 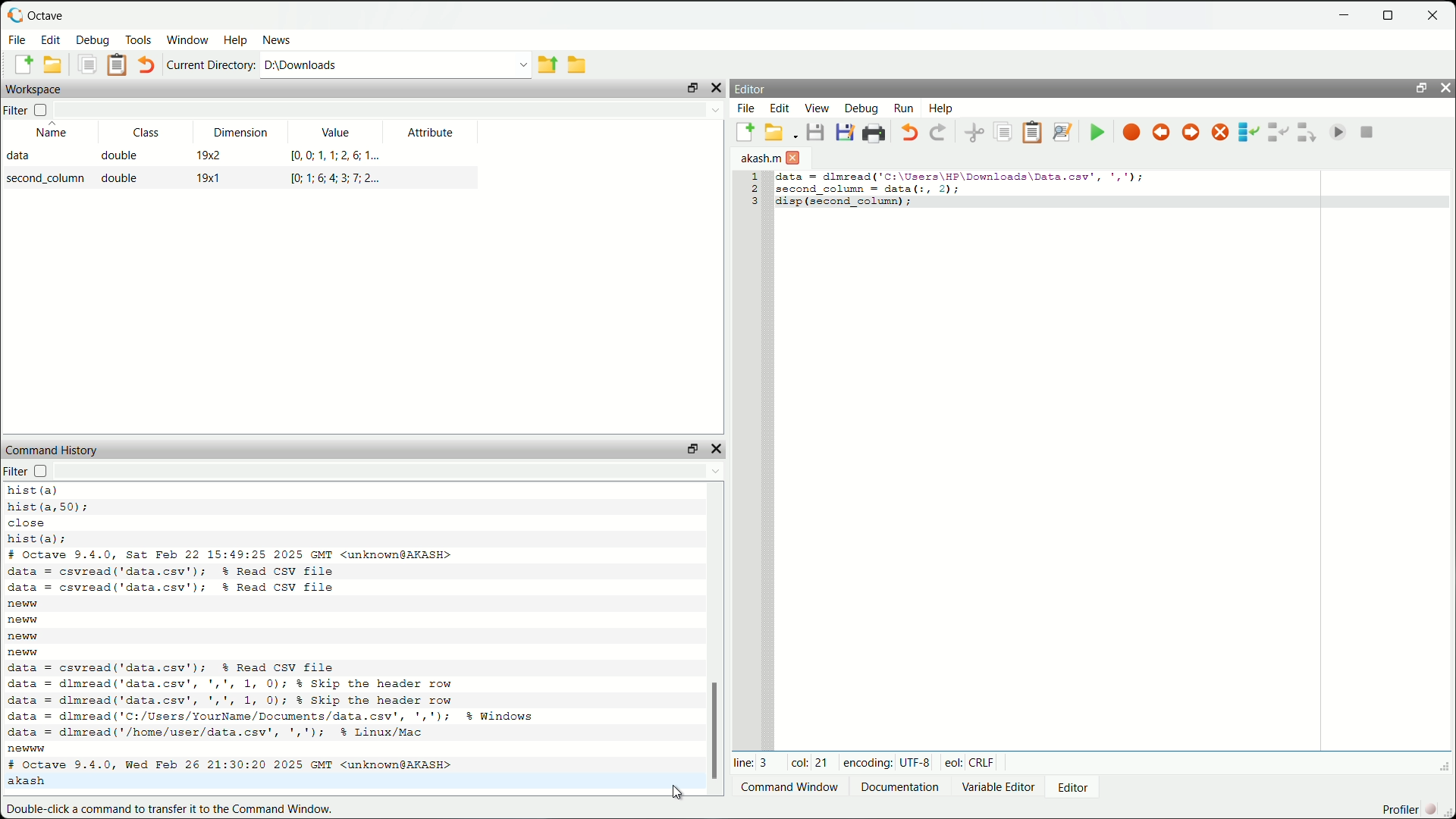 I want to click on quit debug mode, so click(x=1369, y=129).